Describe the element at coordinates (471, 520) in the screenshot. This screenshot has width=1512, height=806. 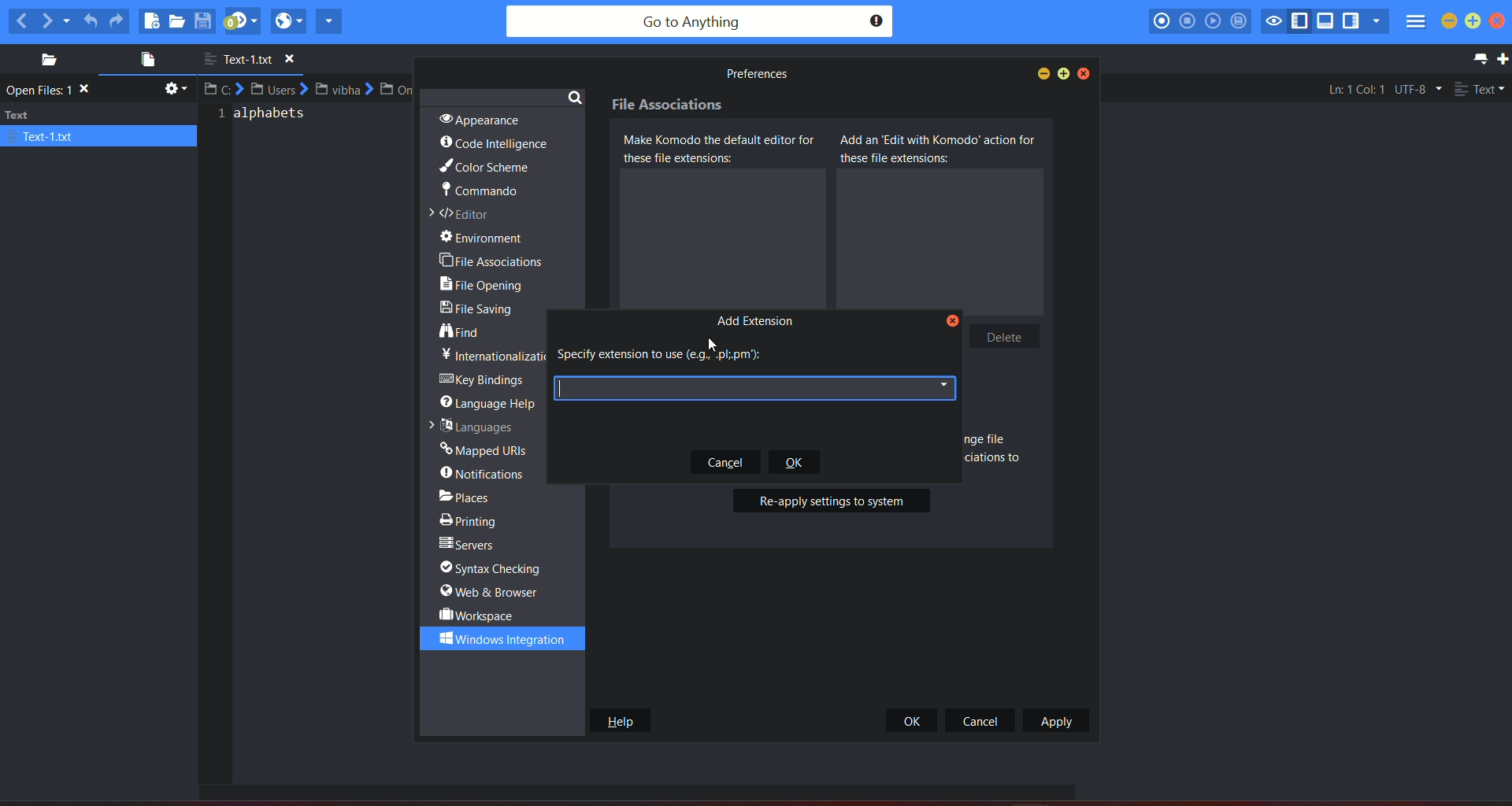
I see `printing` at that location.